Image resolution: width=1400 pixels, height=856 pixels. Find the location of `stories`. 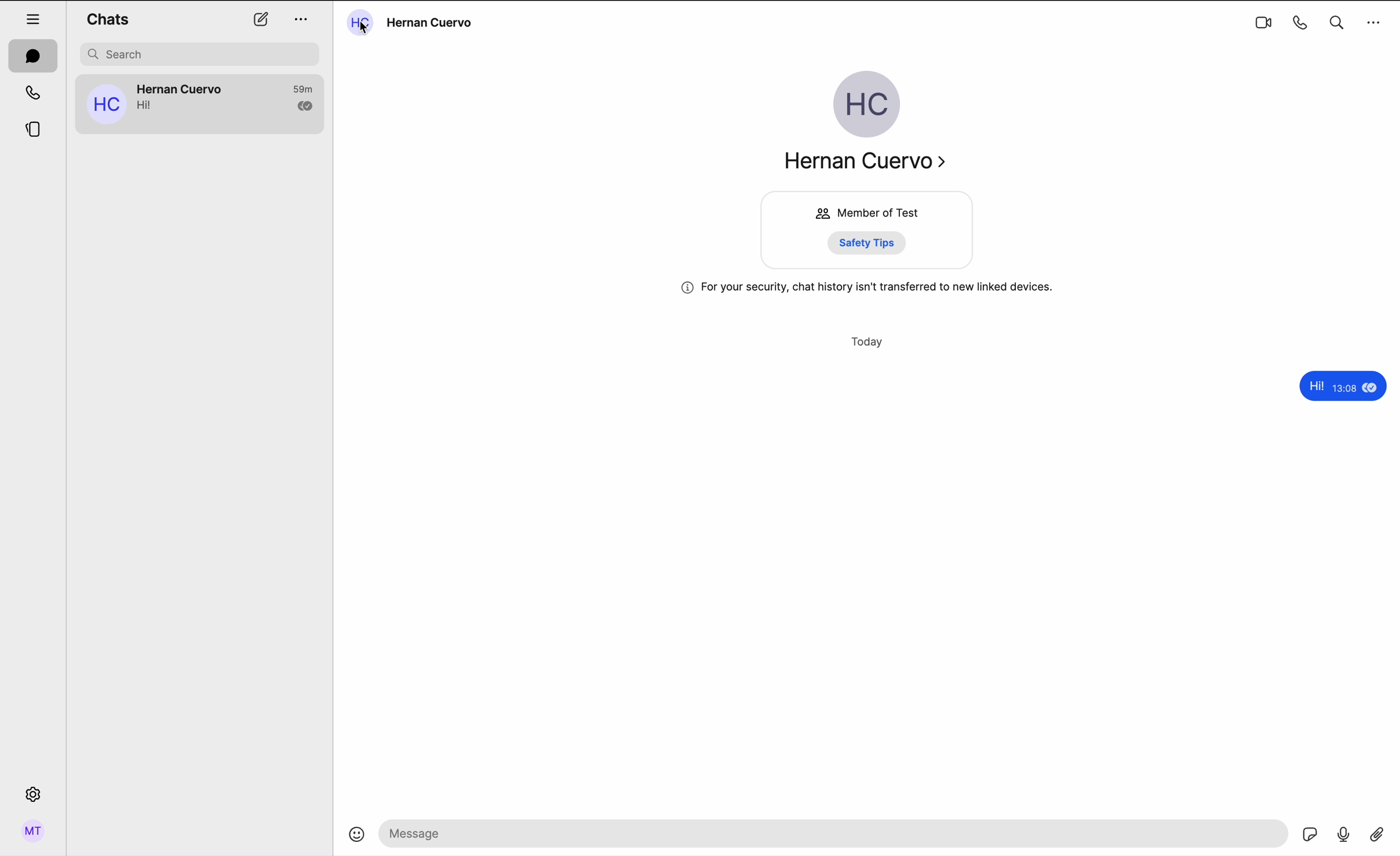

stories is located at coordinates (35, 131).